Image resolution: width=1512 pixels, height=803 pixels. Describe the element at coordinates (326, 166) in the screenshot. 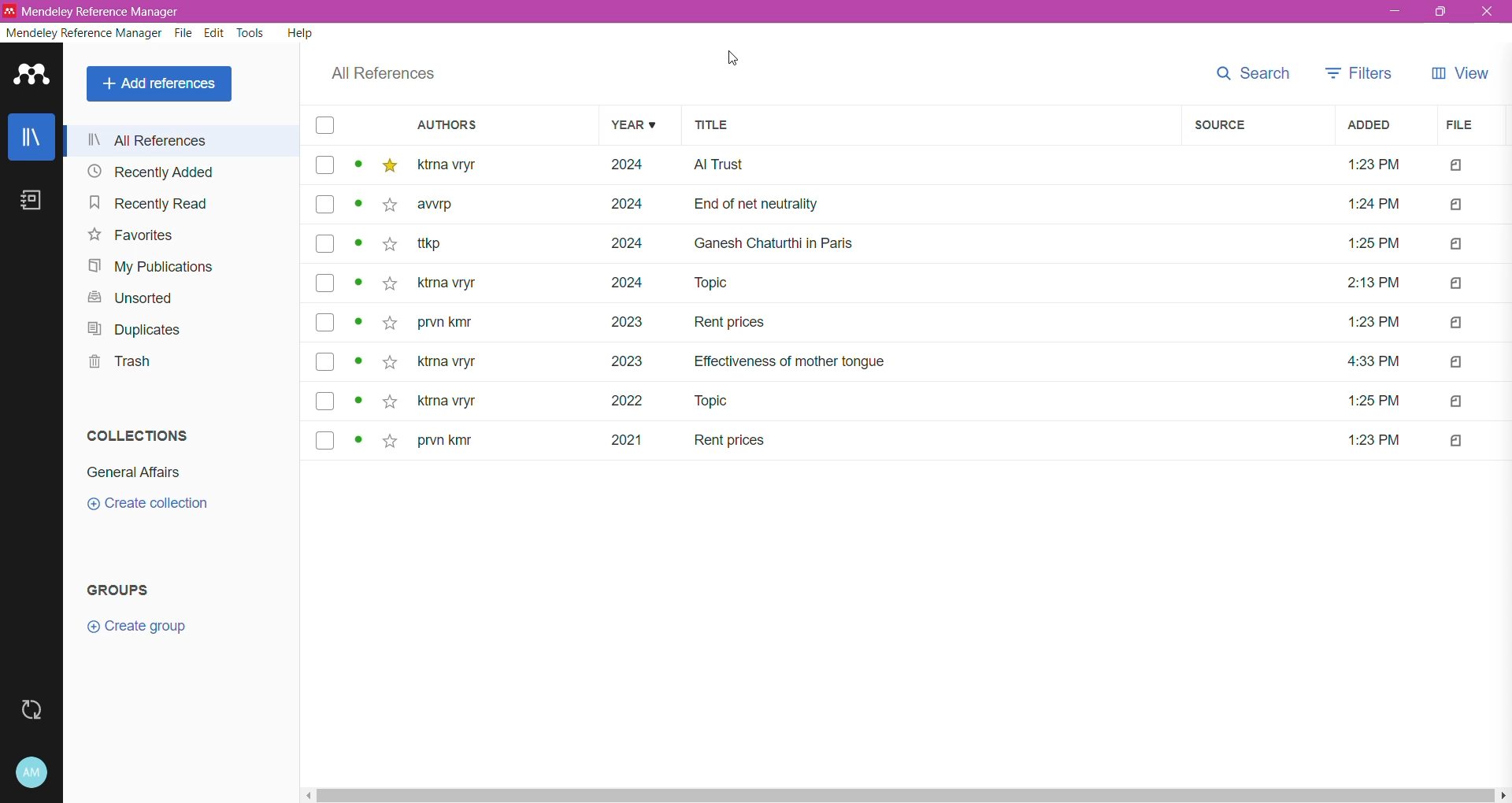

I see `select` at that location.